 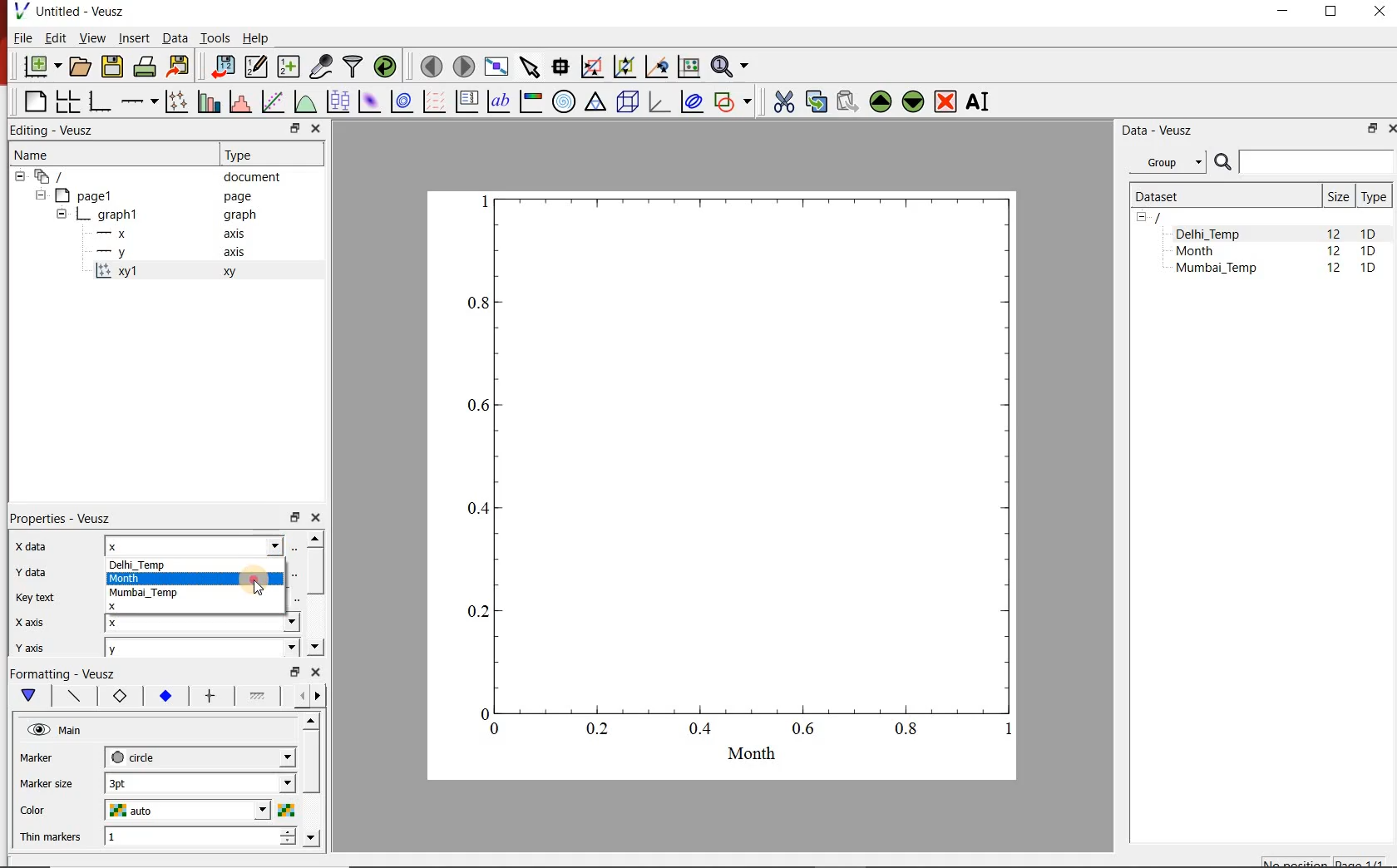 What do you see at coordinates (26, 696) in the screenshot?
I see `Main formatting` at bounding box center [26, 696].